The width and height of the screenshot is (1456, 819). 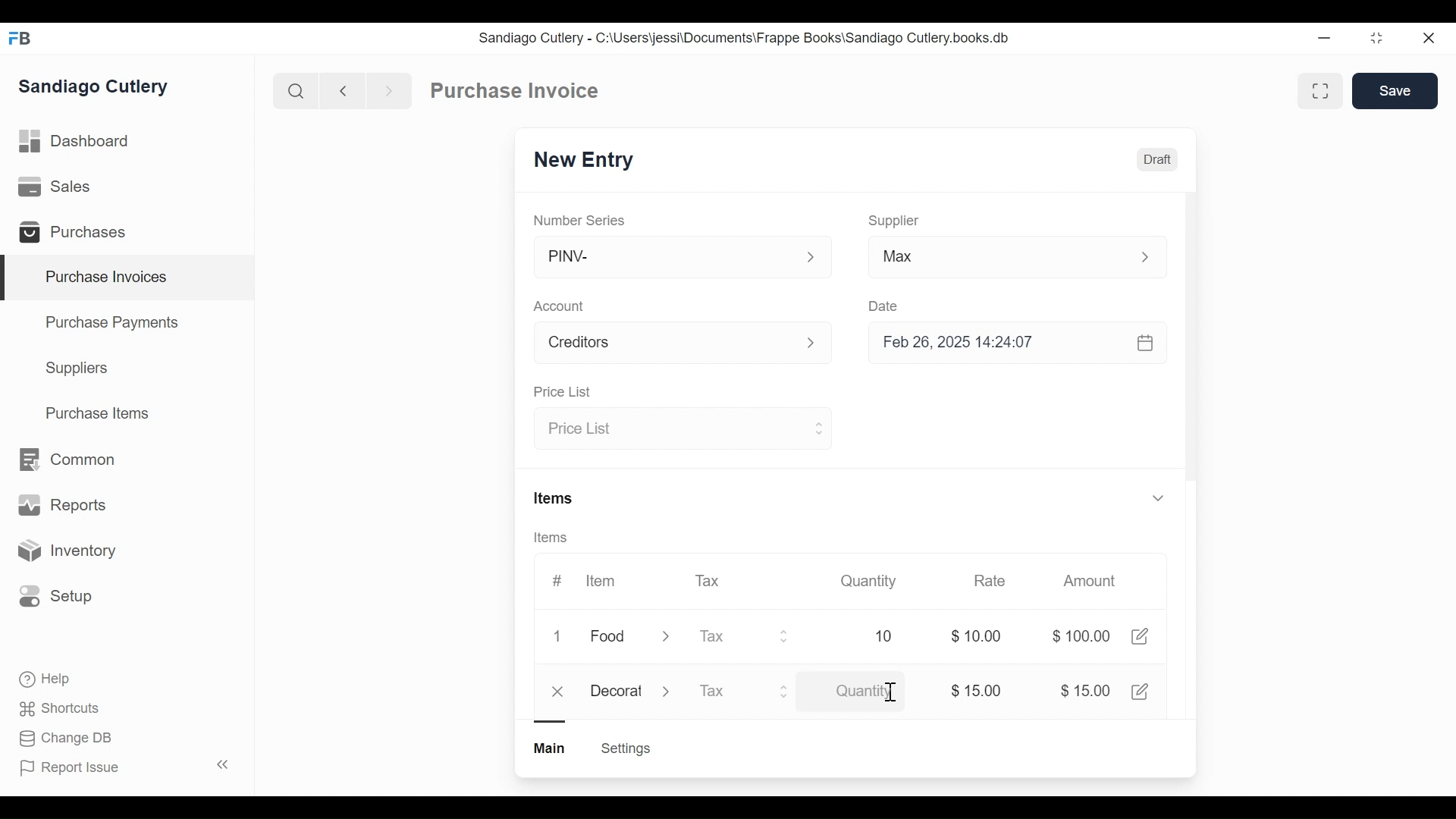 What do you see at coordinates (1397, 91) in the screenshot?
I see `Save` at bounding box center [1397, 91].